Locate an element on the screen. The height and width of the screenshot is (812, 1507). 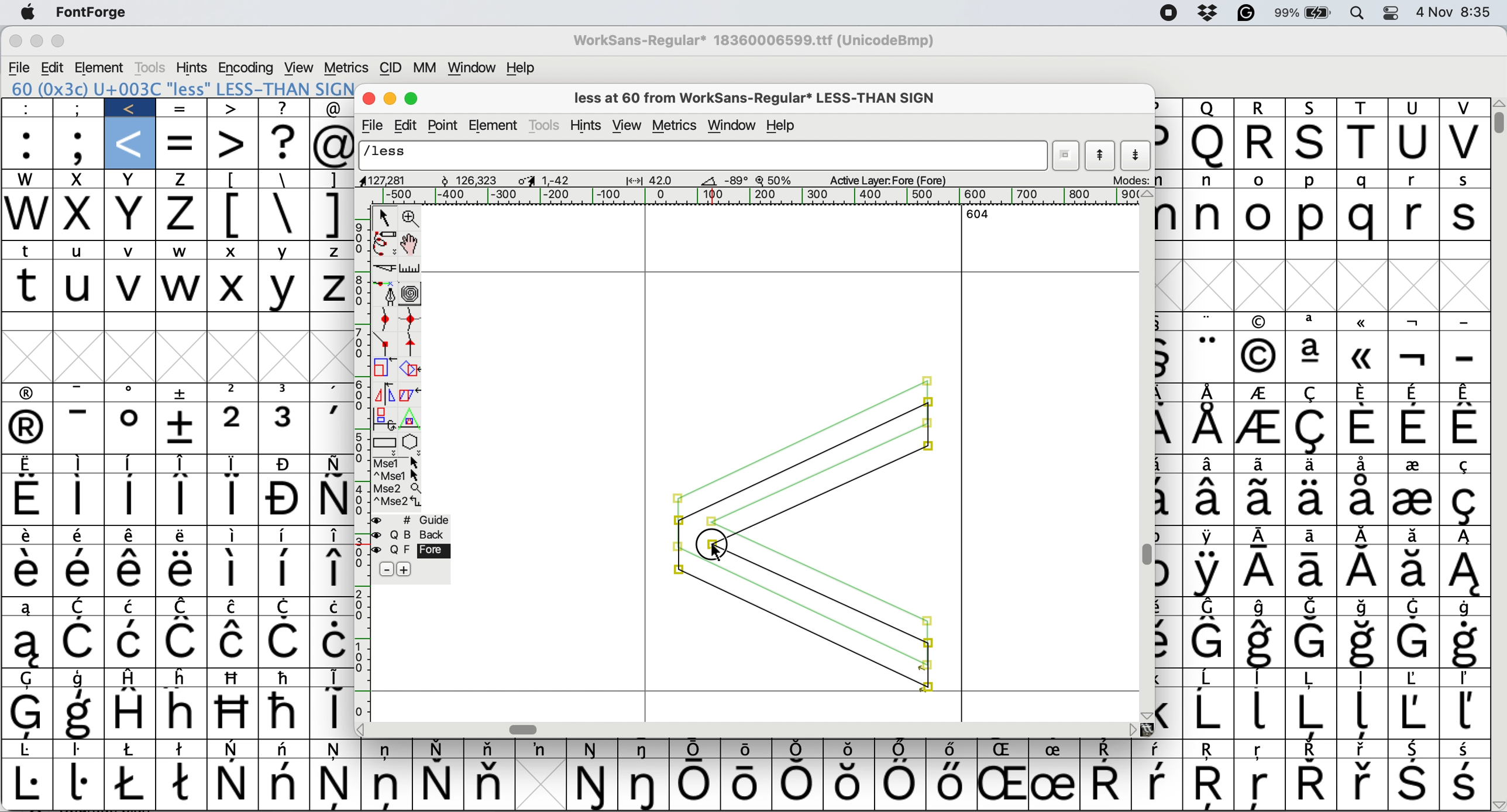
Symbol is located at coordinates (1465, 500).